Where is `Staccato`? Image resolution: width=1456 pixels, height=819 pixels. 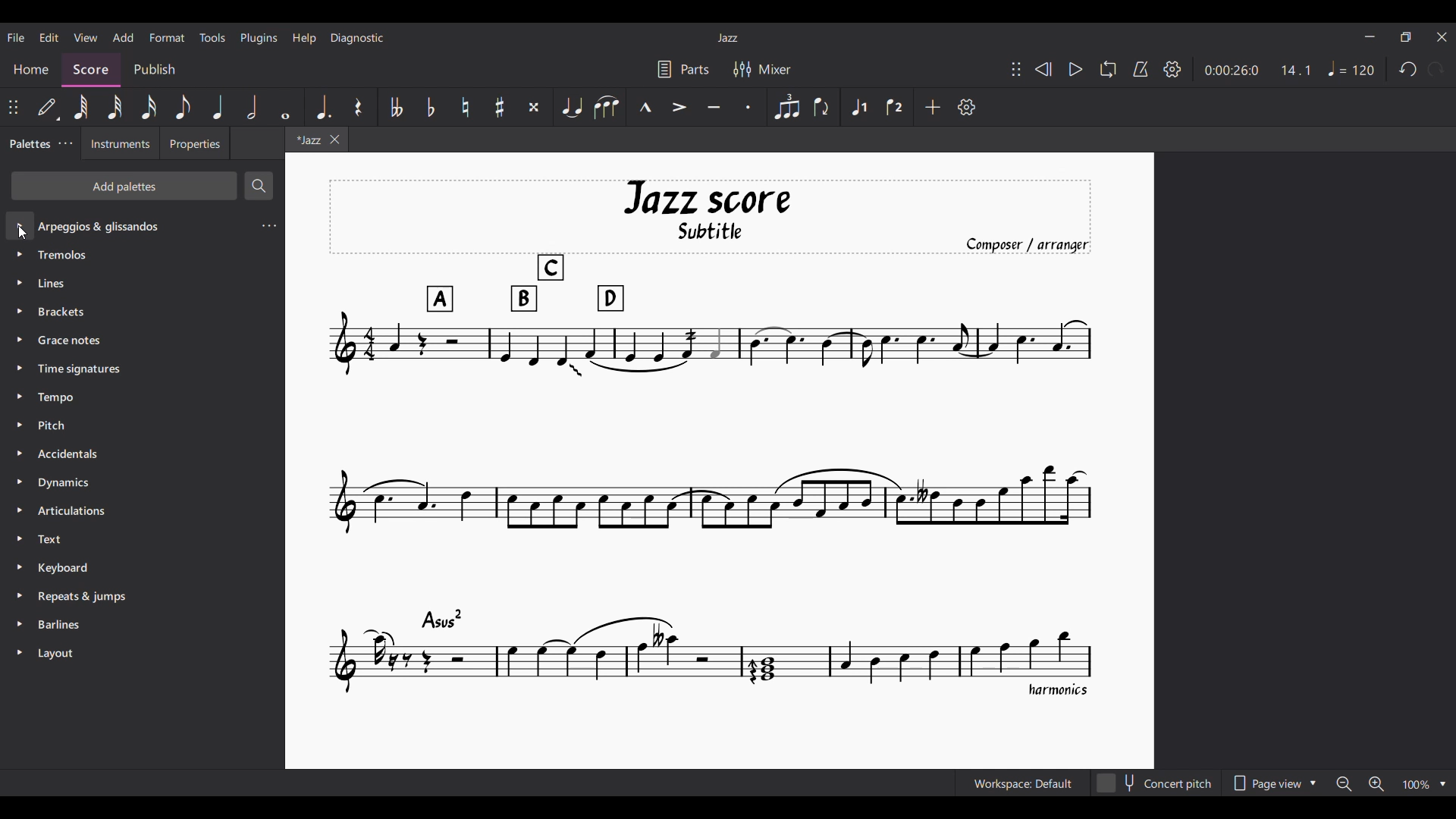 Staccato is located at coordinates (749, 107).